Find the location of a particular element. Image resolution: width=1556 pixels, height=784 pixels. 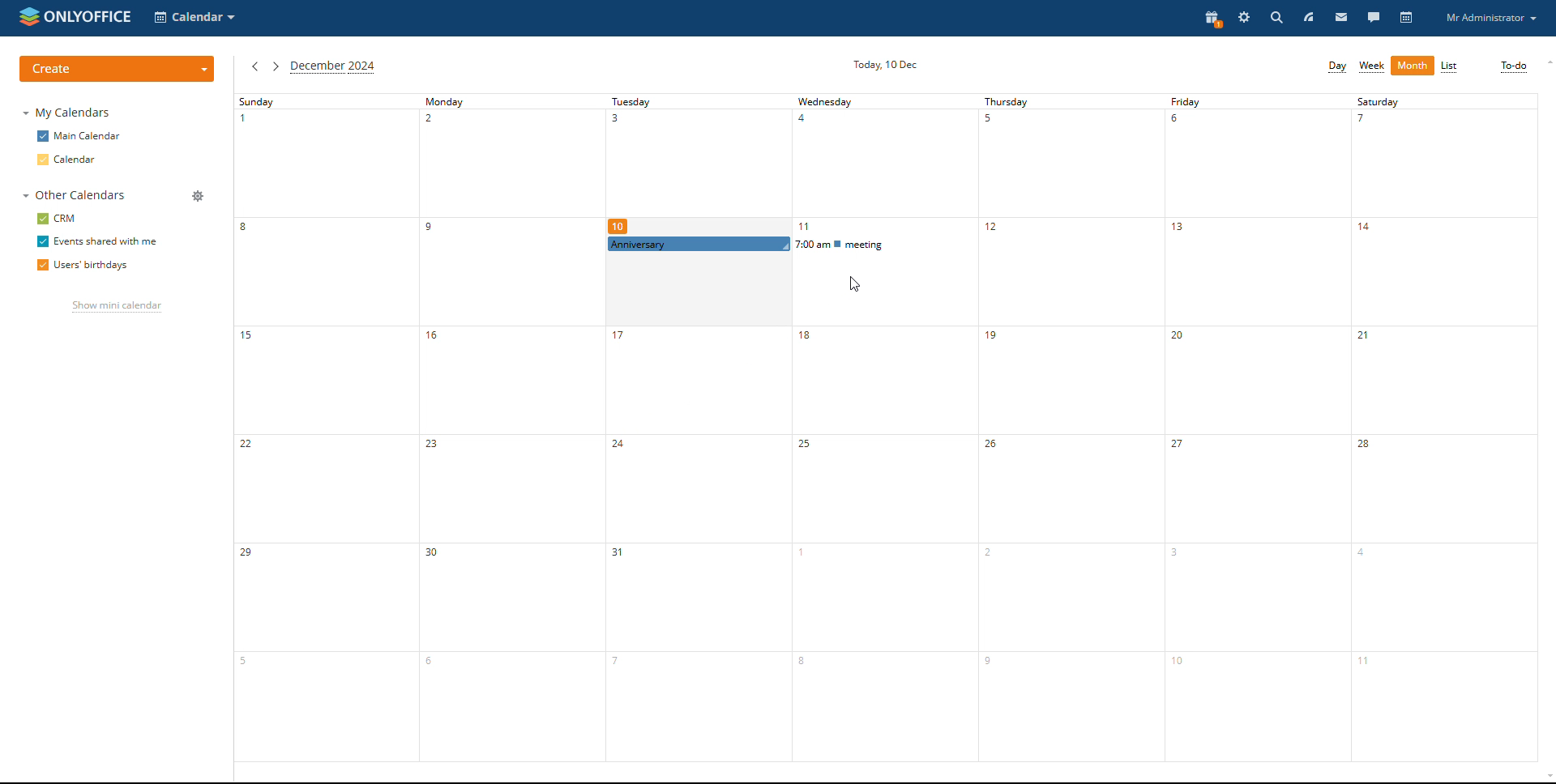

talk is located at coordinates (1373, 19).